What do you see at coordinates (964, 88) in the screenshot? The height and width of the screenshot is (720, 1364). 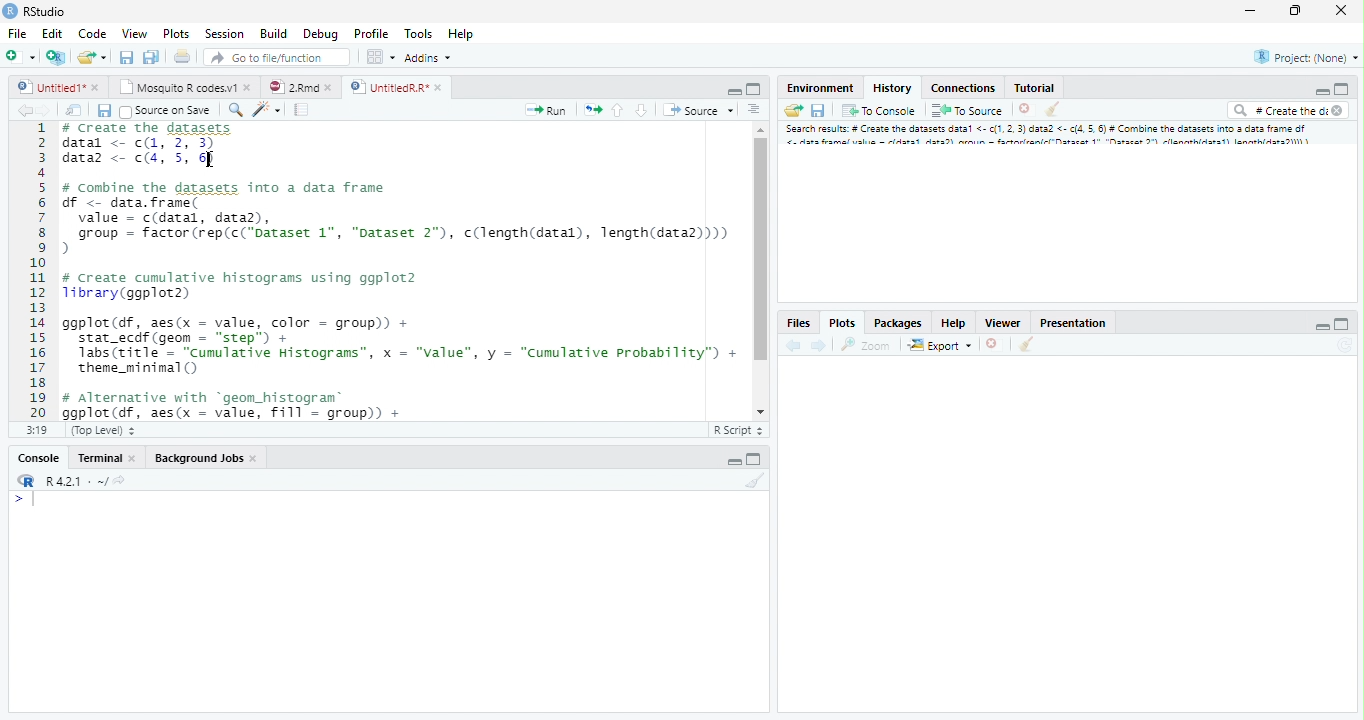 I see `Connections` at bounding box center [964, 88].